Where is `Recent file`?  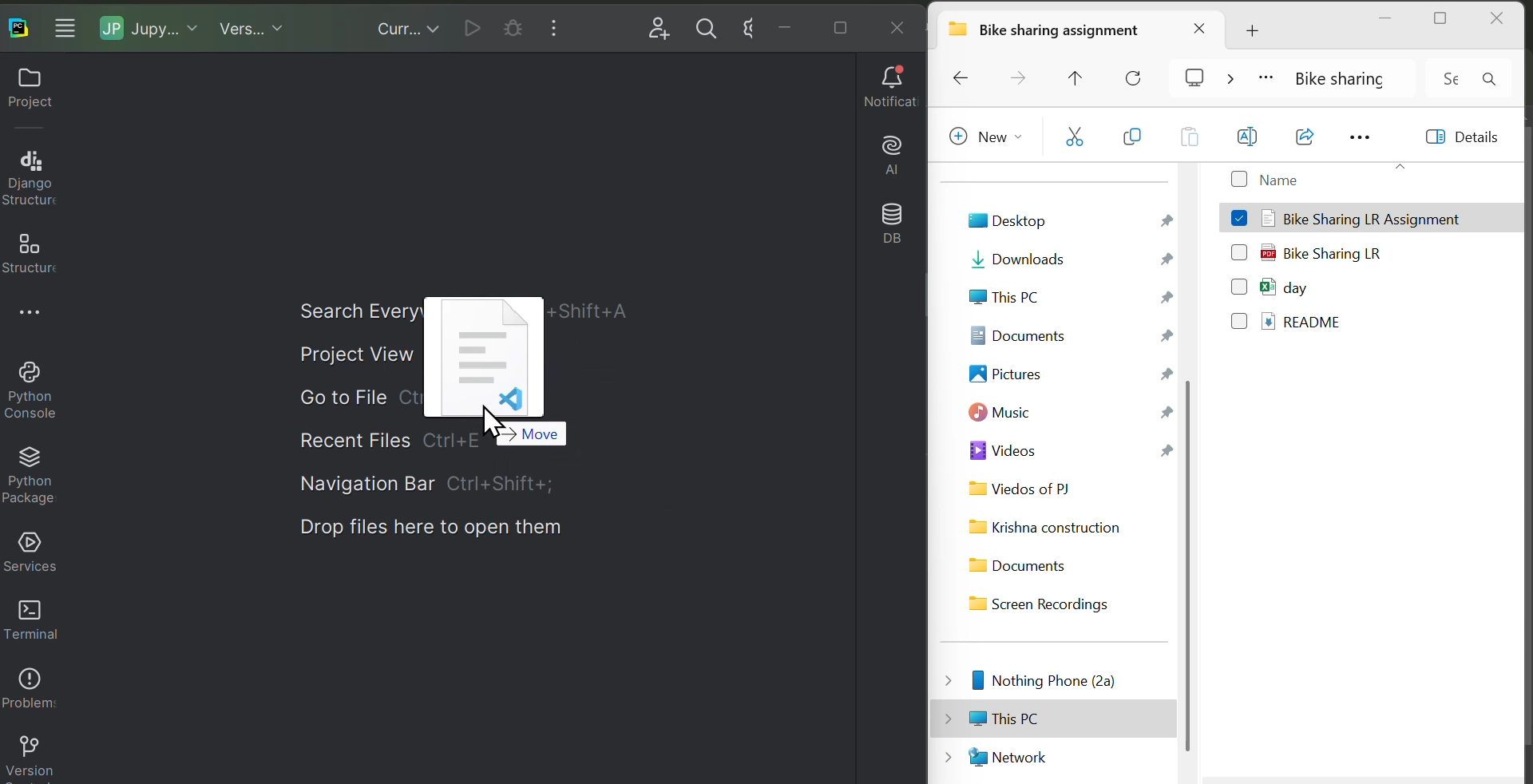 Recent file is located at coordinates (351, 439).